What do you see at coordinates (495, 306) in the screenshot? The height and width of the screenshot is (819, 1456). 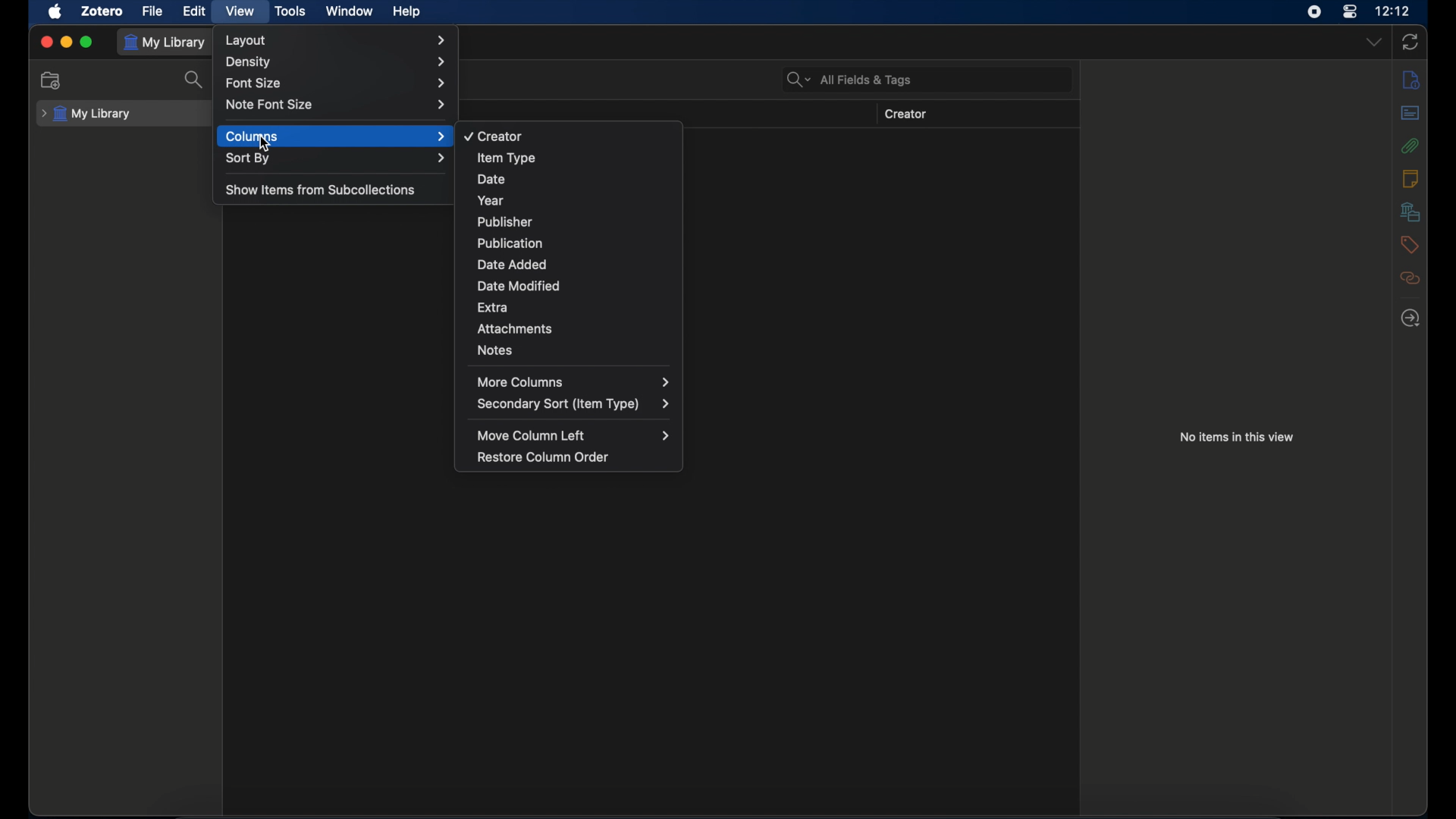 I see `extra` at bounding box center [495, 306].